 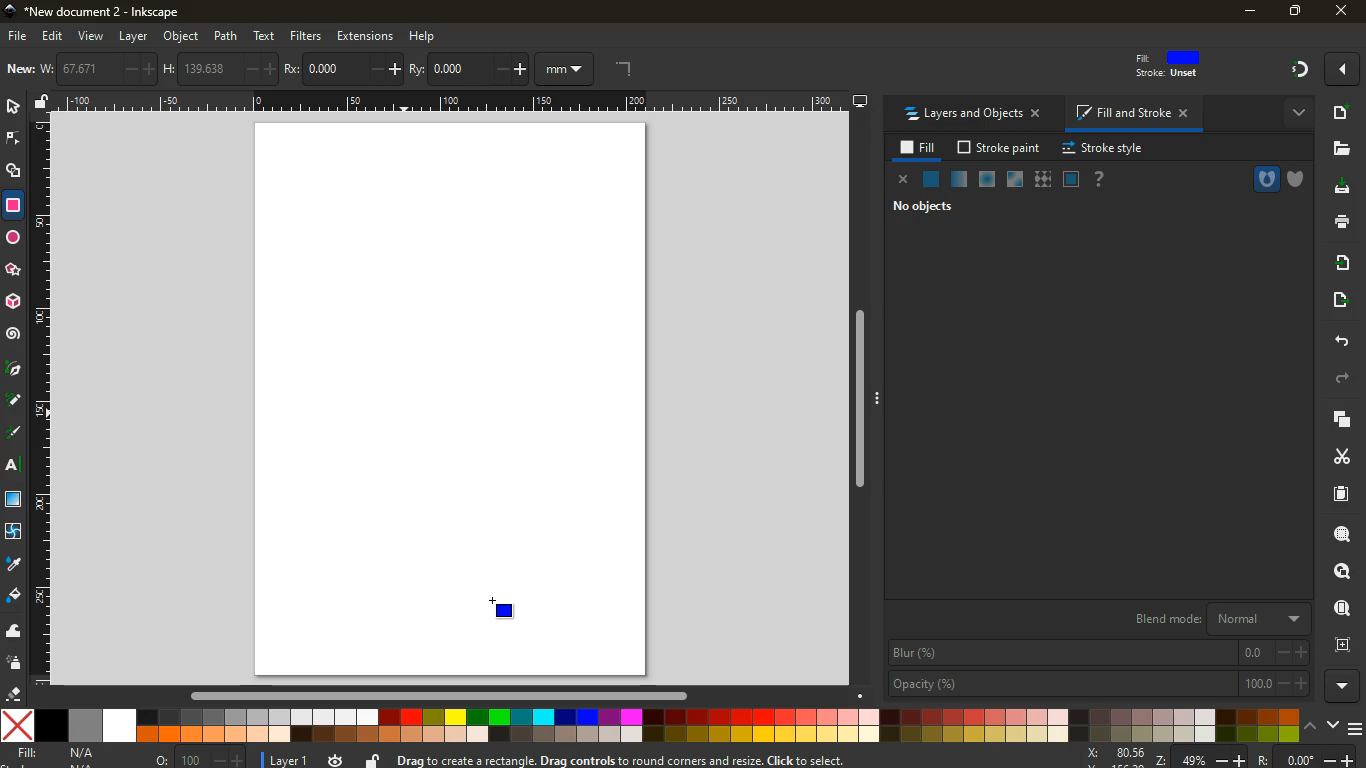 I want to click on edge, so click(x=14, y=142).